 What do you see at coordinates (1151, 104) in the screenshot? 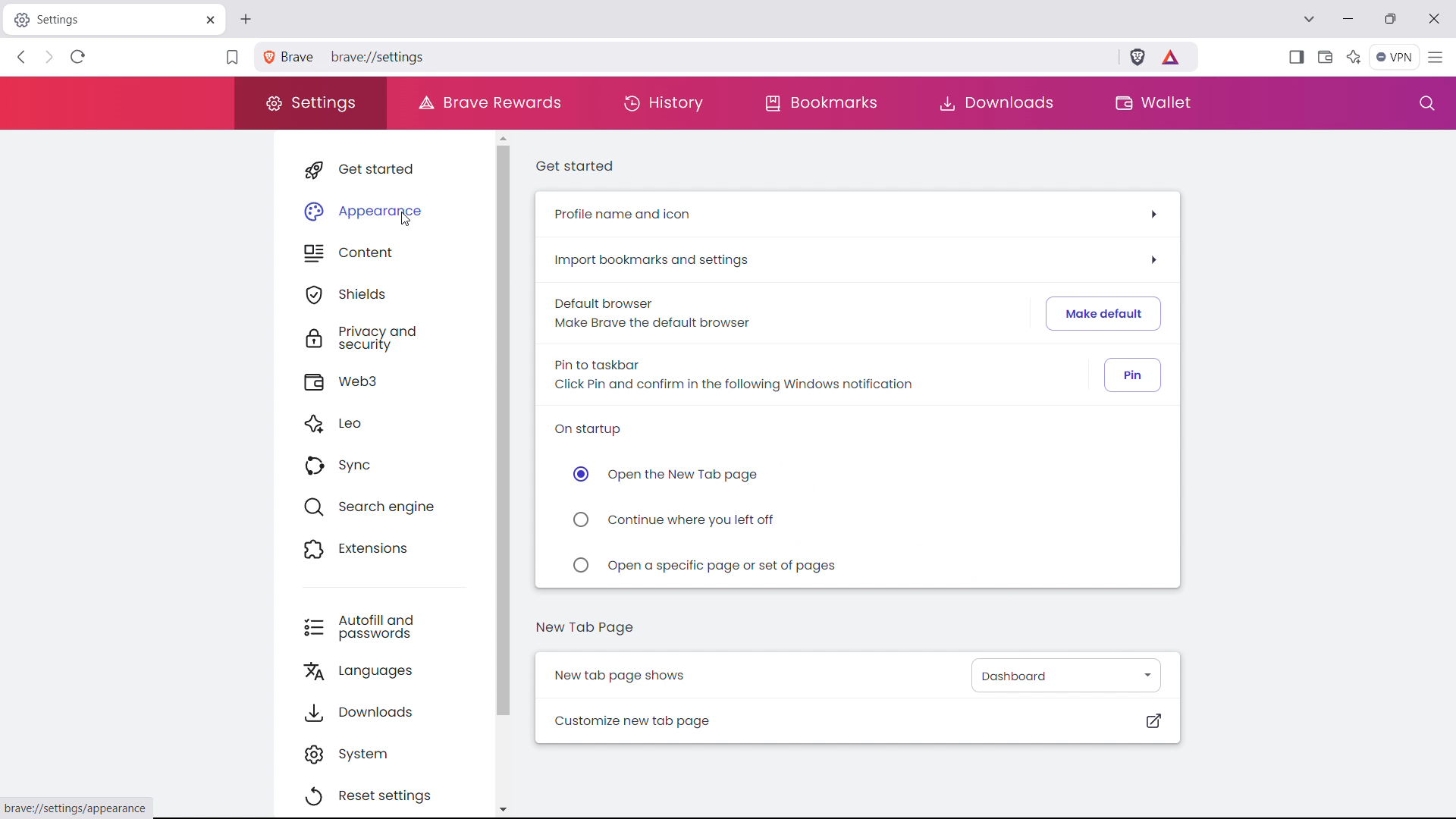
I see `wallet` at bounding box center [1151, 104].